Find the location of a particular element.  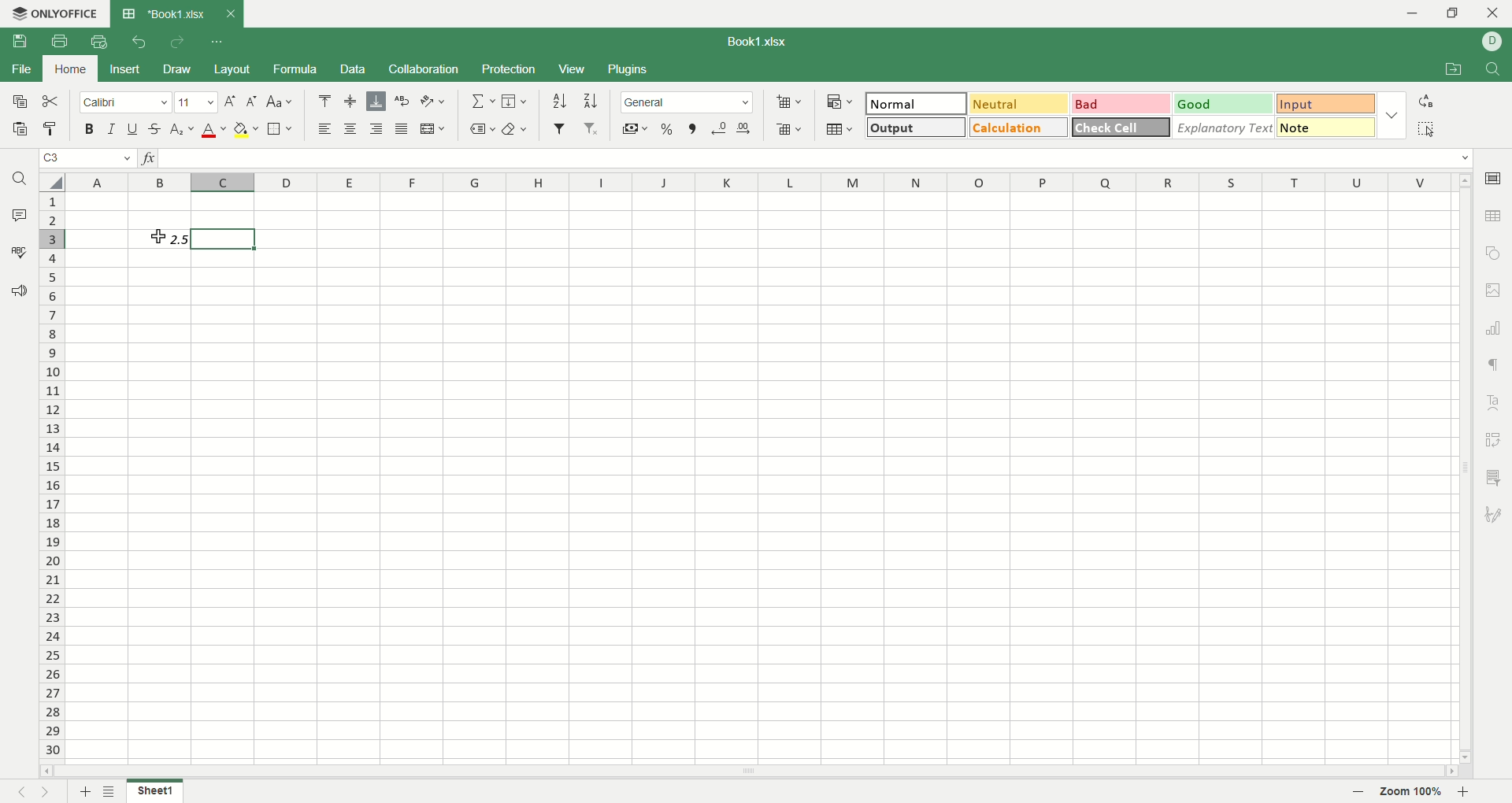

font color is located at coordinates (214, 131).